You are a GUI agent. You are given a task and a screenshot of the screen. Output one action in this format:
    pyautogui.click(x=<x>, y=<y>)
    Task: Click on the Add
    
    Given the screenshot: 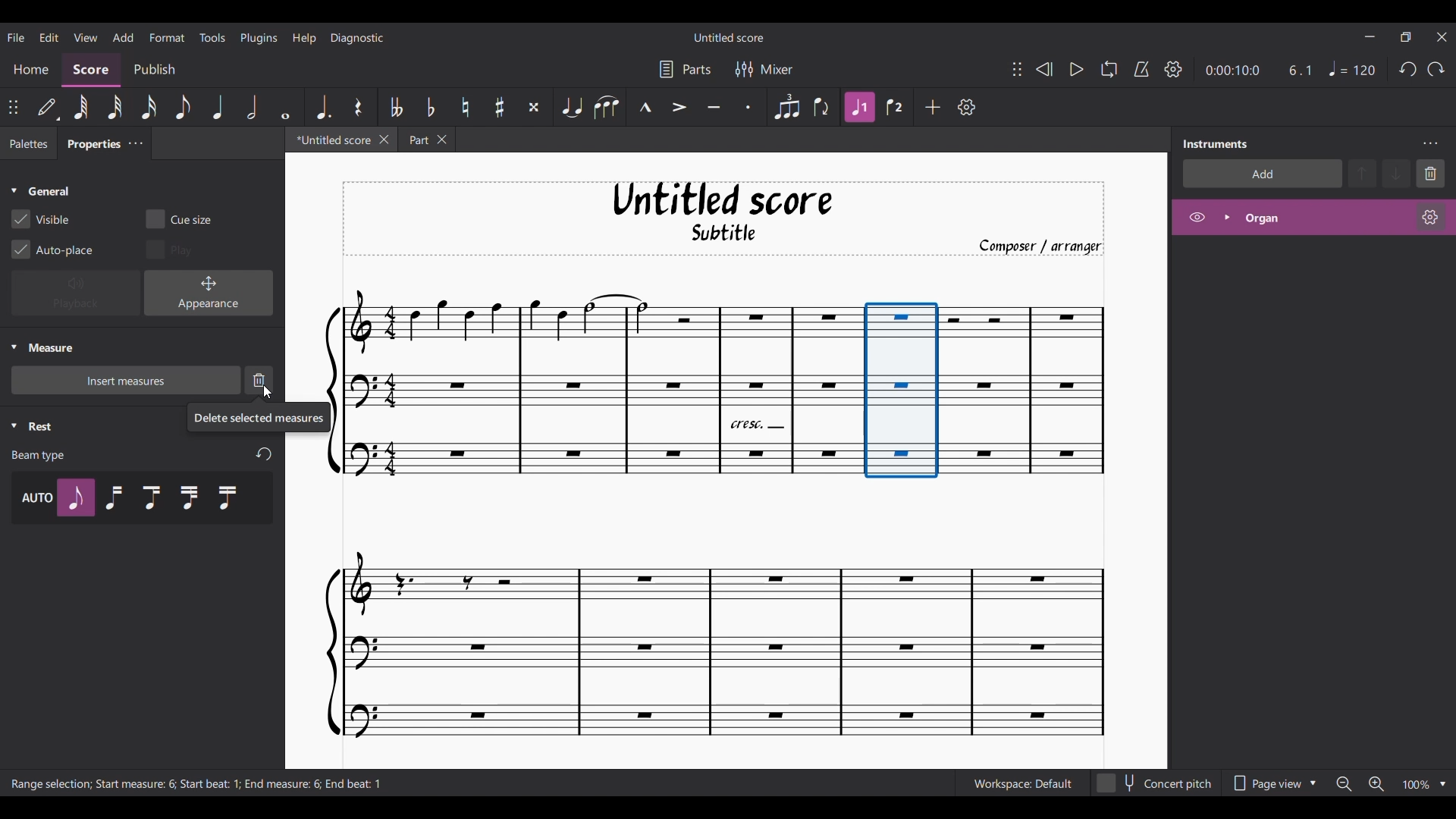 What is the action you would take?
    pyautogui.click(x=932, y=106)
    